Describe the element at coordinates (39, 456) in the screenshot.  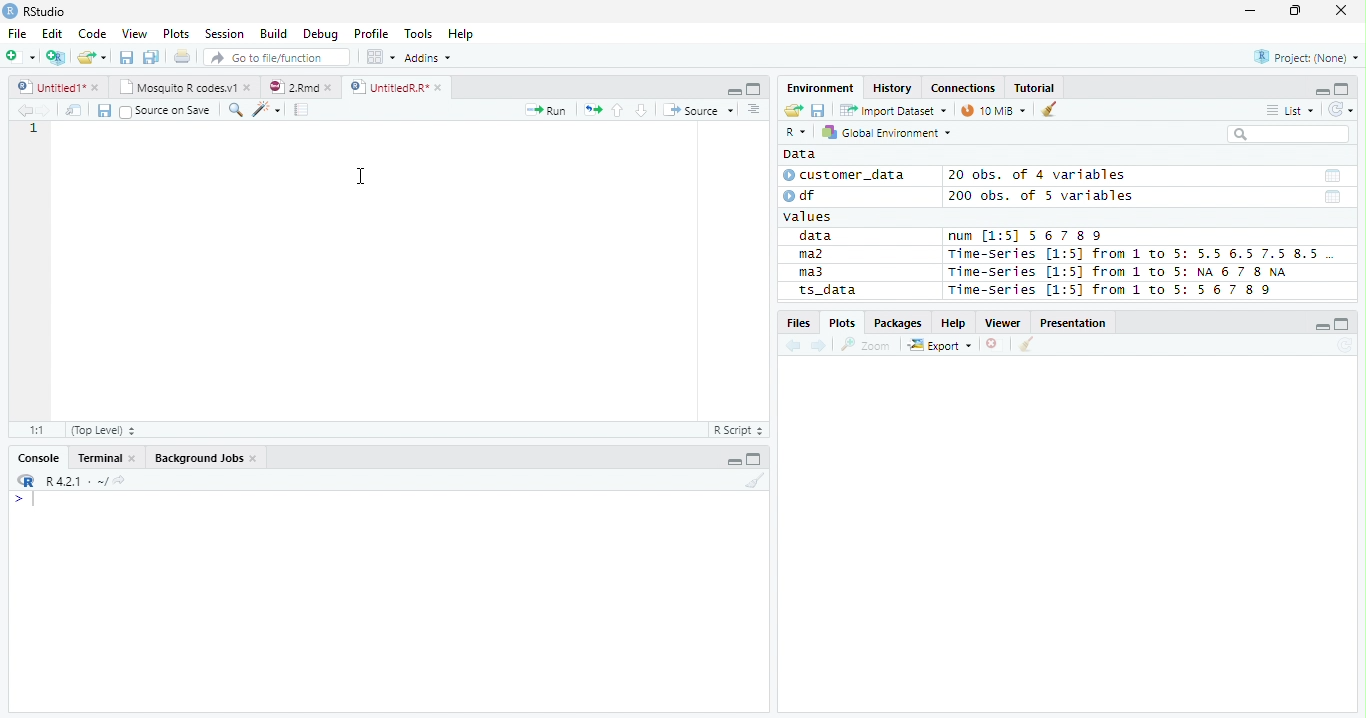
I see `Console` at that location.